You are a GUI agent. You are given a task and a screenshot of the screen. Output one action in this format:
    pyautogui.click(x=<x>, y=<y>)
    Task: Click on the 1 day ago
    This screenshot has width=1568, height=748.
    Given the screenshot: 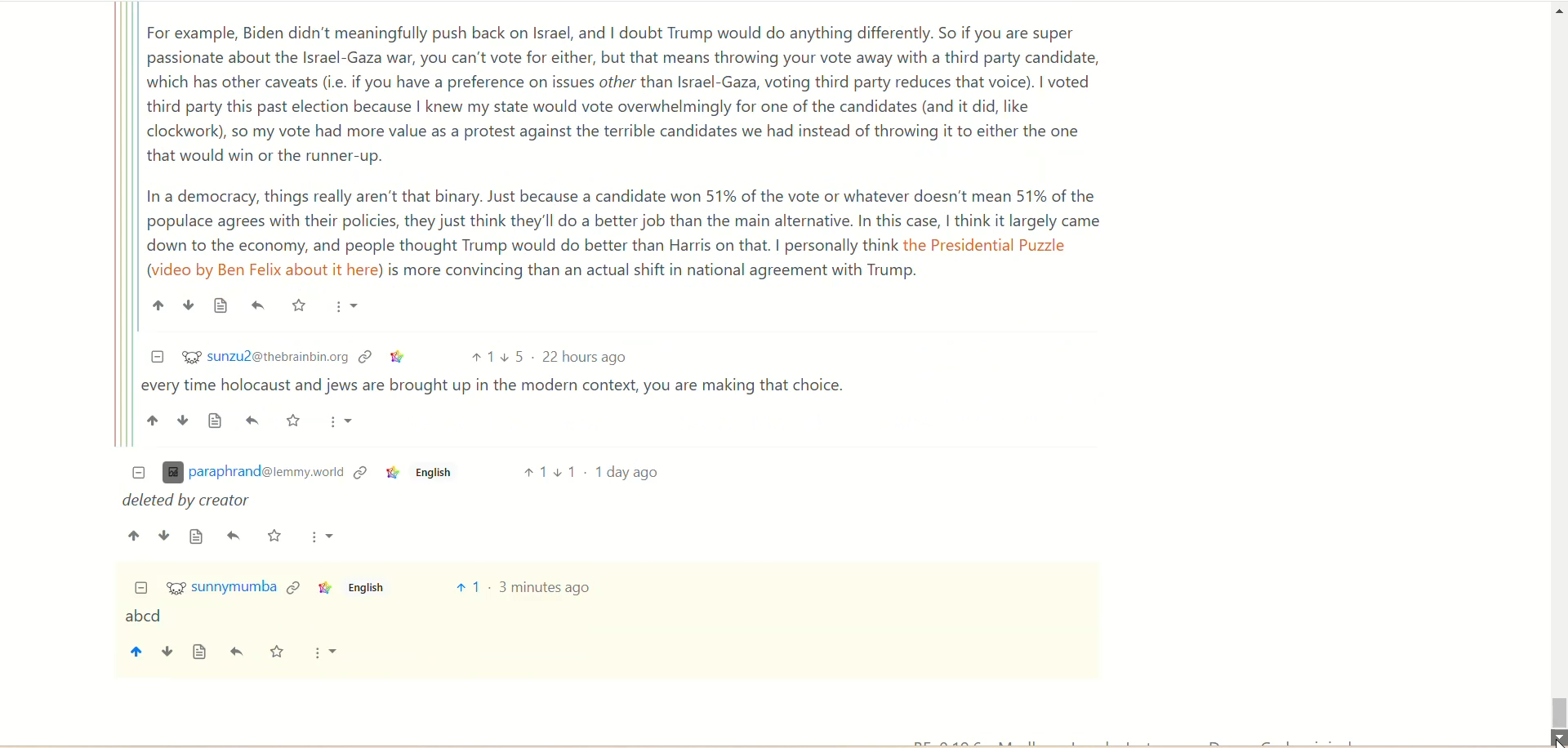 What is the action you would take?
    pyautogui.click(x=627, y=471)
    